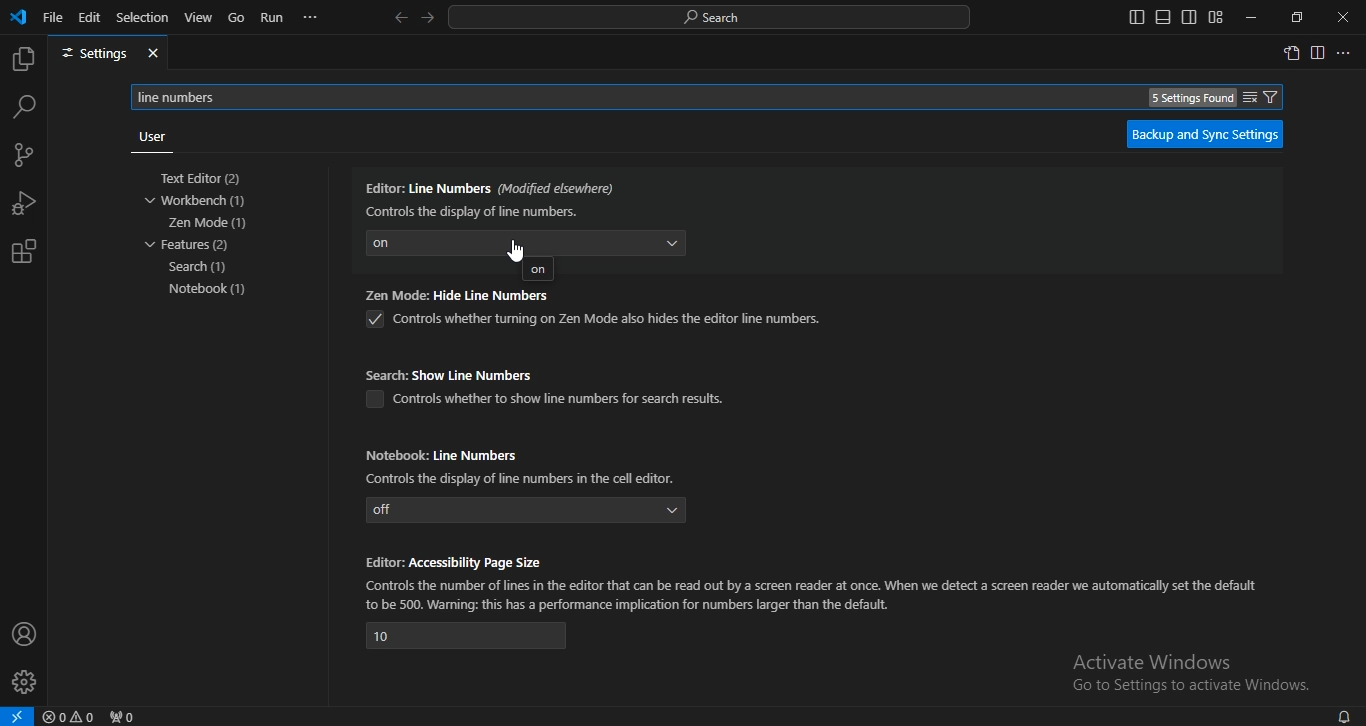 The width and height of the screenshot is (1366, 726). What do you see at coordinates (521, 246) in the screenshot?
I see `cursor` at bounding box center [521, 246].